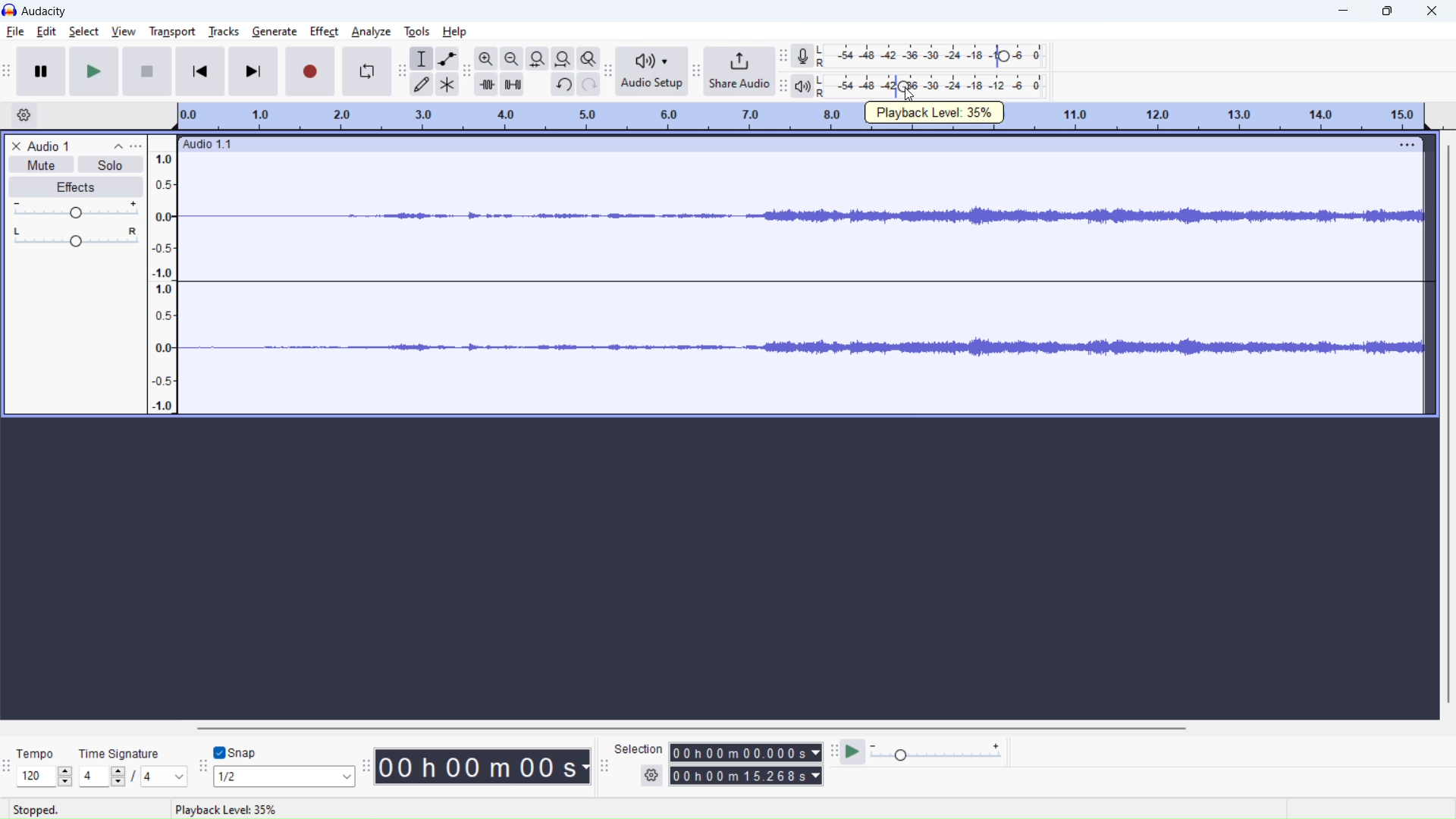 This screenshot has height=819, width=1456. I want to click on help, so click(454, 32).